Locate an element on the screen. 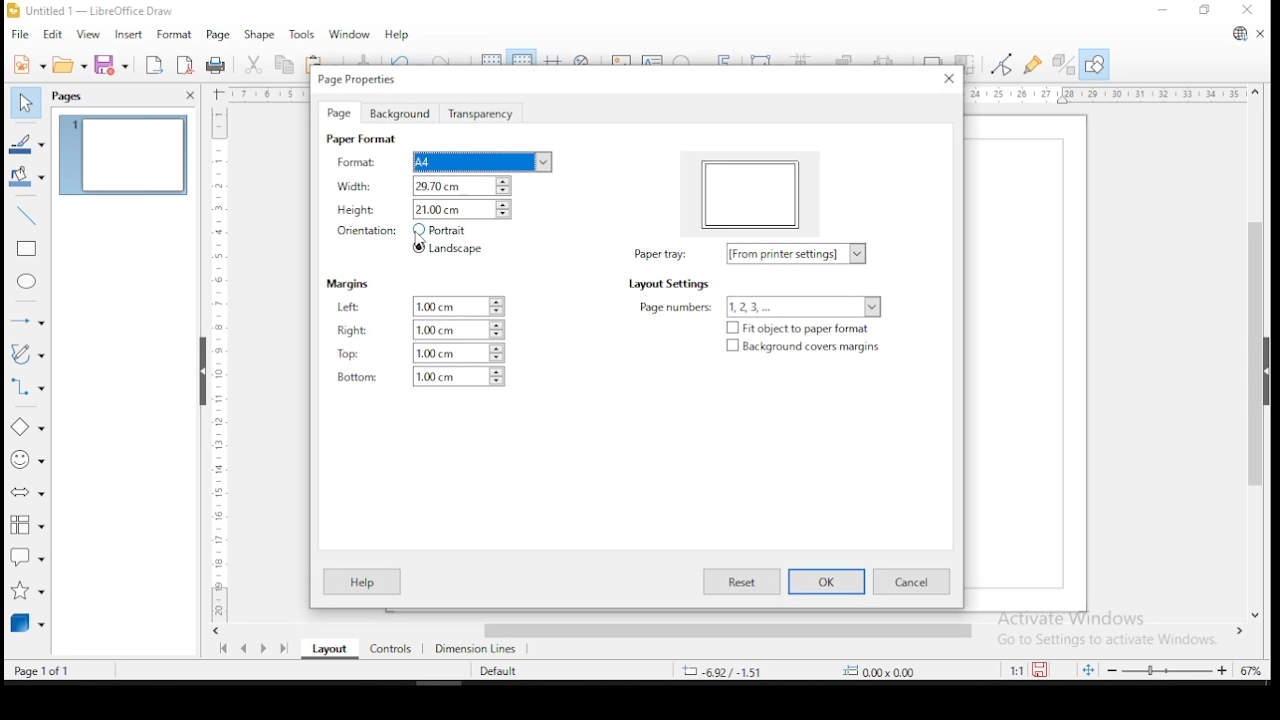 The width and height of the screenshot is (1280, 720). redo is located at coordinates (450, 57).